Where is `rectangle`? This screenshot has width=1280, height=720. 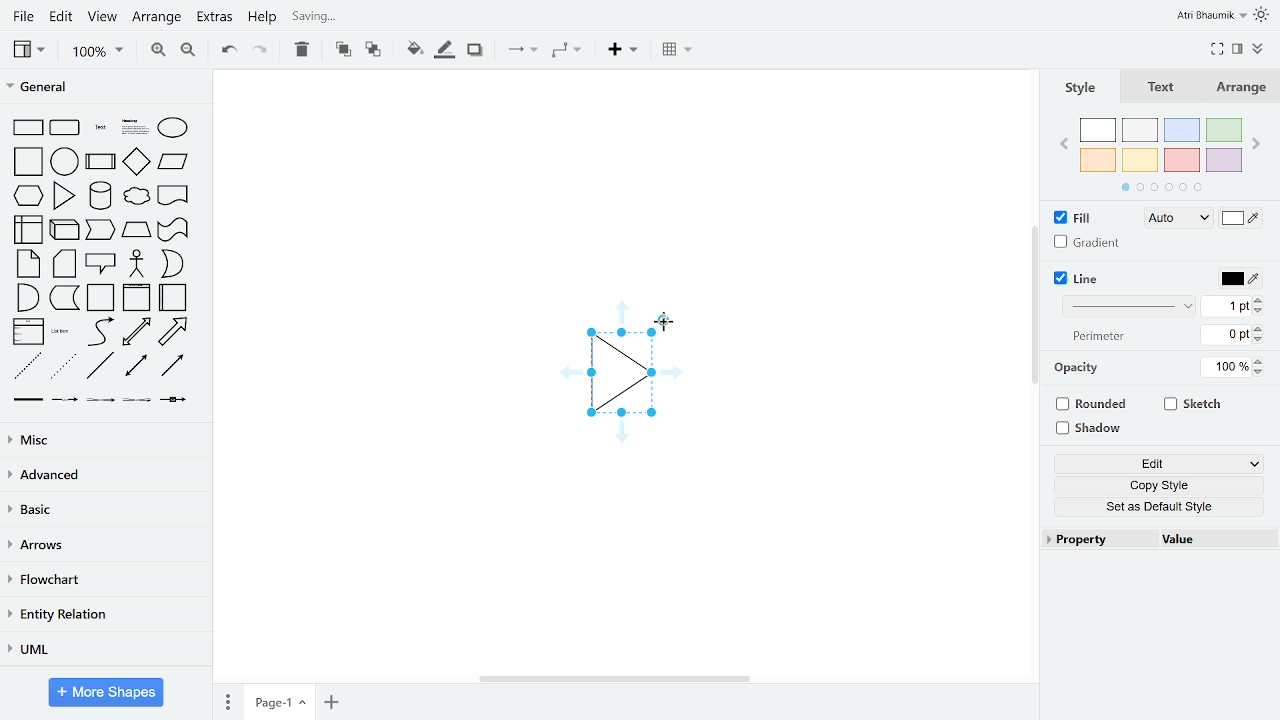 rectangle is located at coordinates (25, 128).